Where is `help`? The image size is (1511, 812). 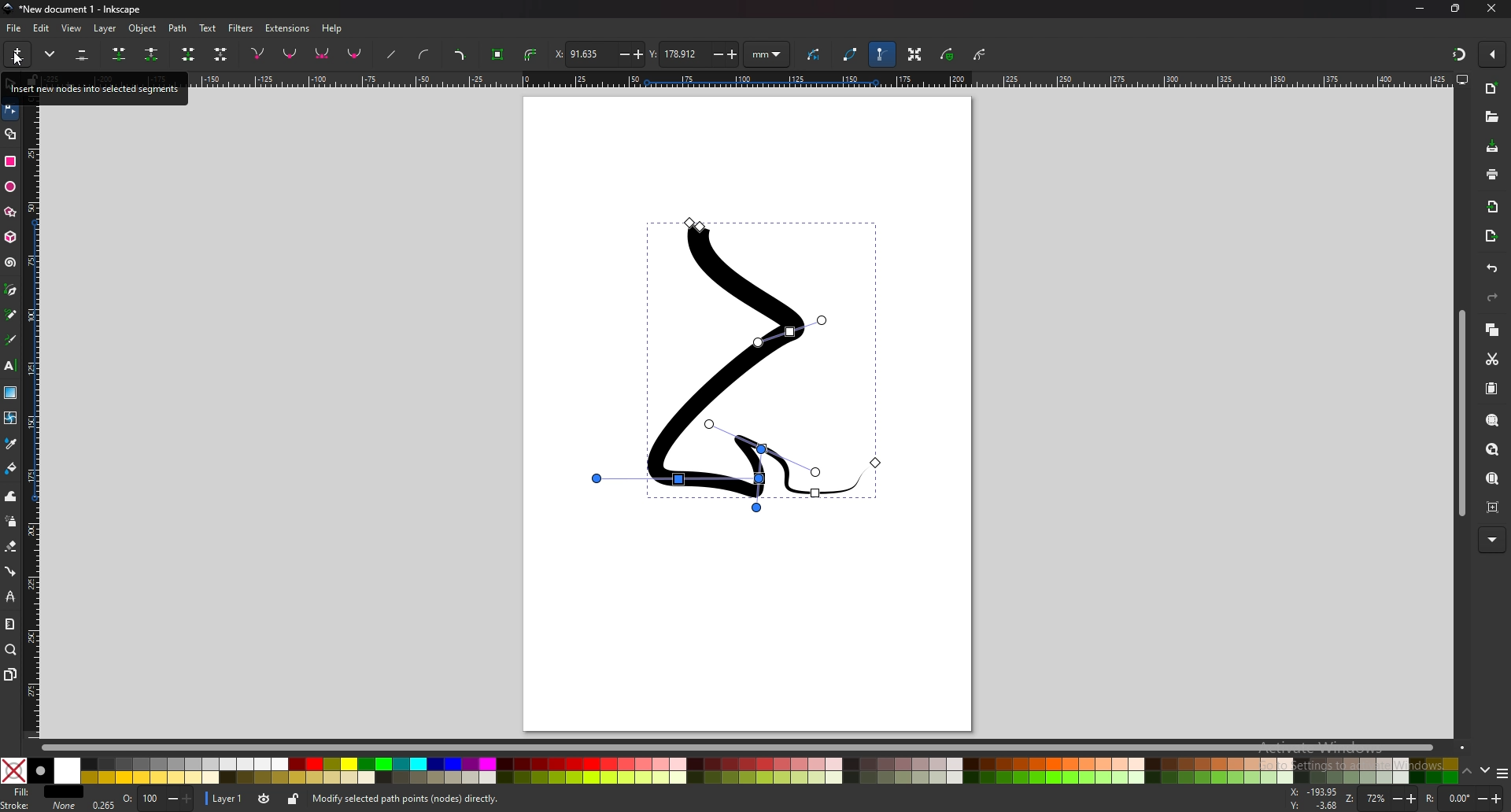 help is located at coordinates (335, 28).